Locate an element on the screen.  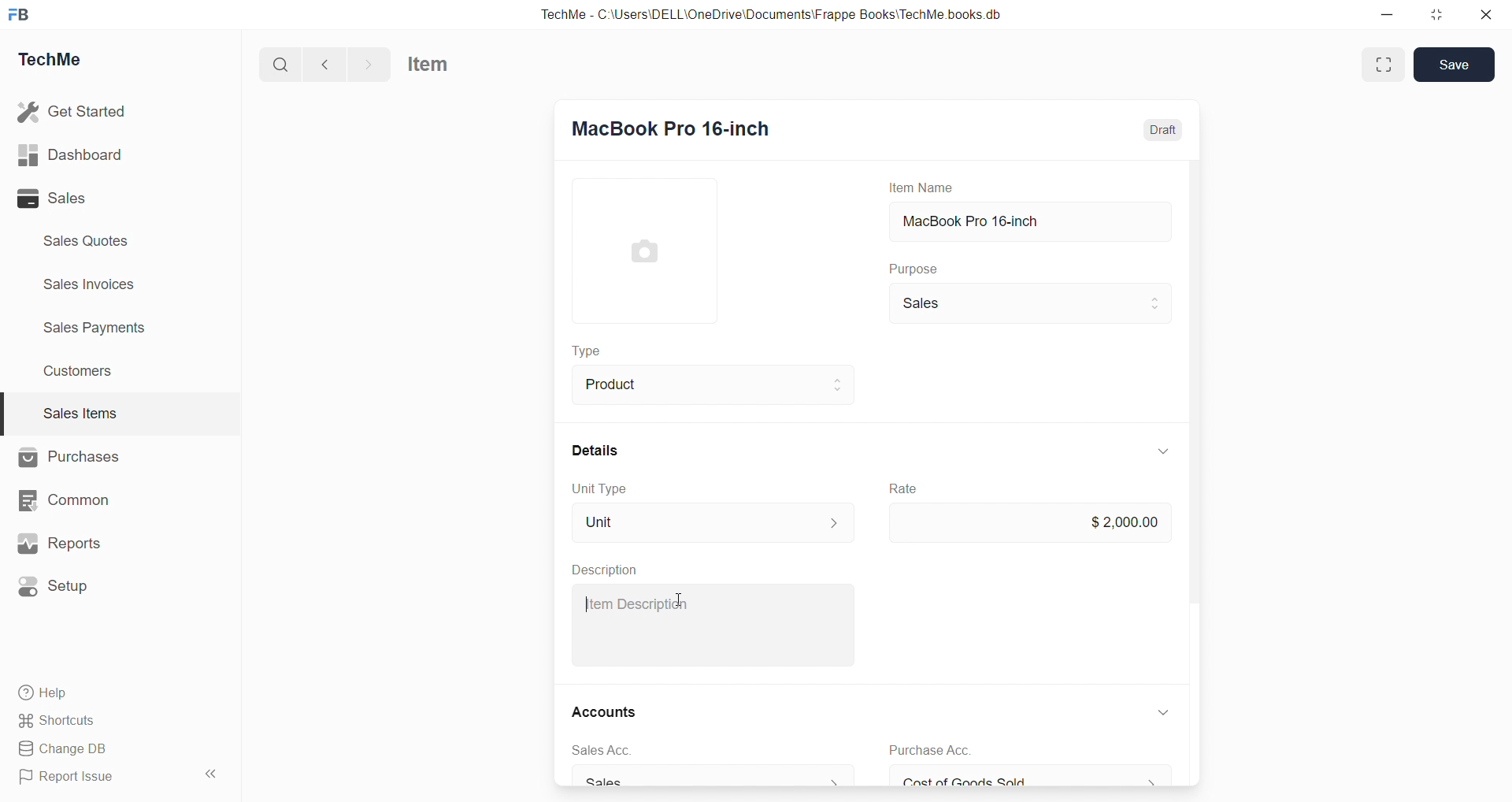
Draft is located at coordinates (1164, 129).